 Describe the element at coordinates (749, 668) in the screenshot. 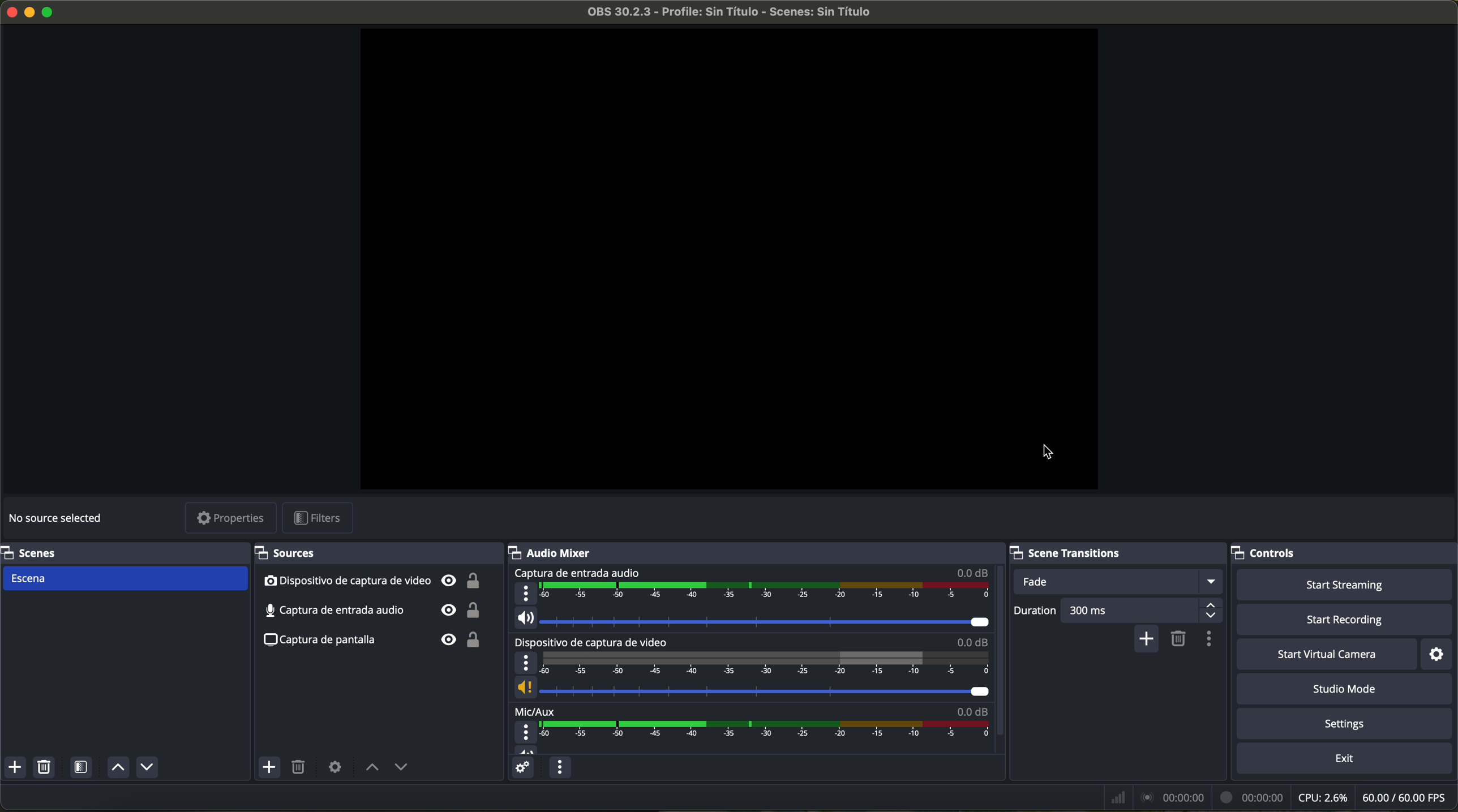

I see `video capture device` at that location.